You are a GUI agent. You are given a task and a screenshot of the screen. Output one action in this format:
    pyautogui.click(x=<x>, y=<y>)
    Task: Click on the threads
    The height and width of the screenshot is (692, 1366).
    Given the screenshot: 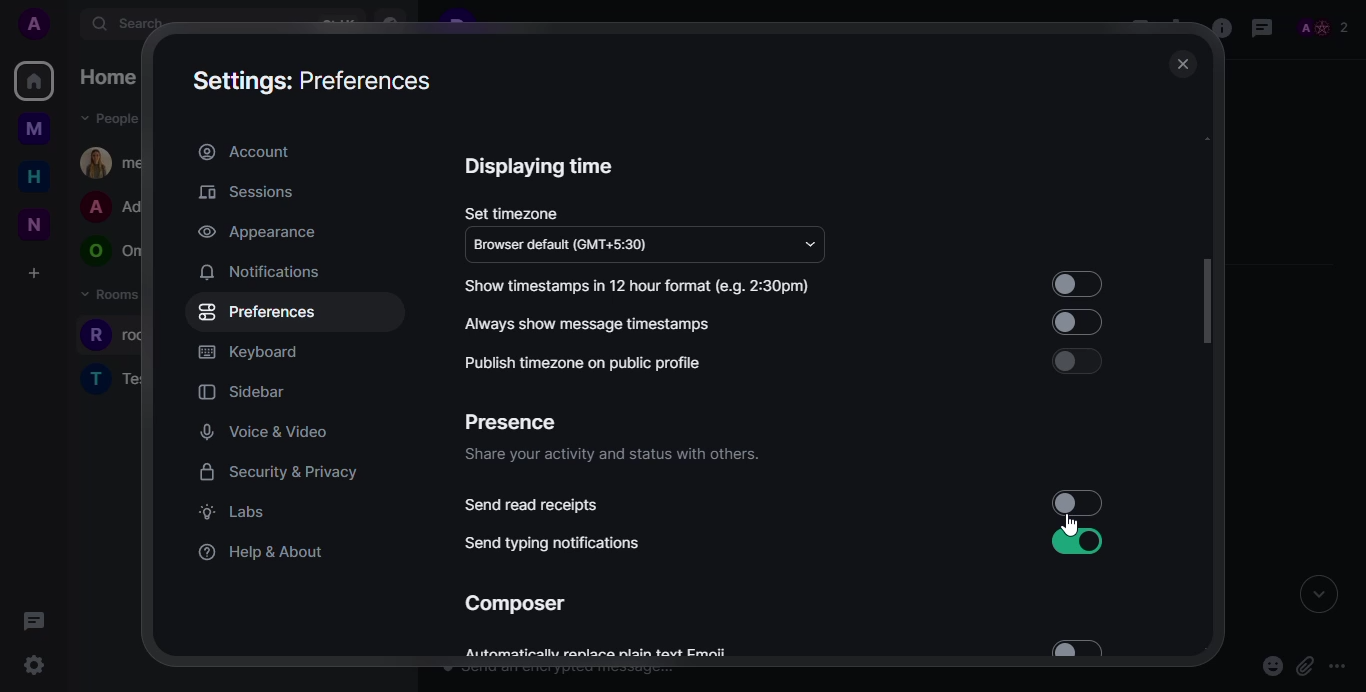 What is the action you would take?
    pyautogui.click(x=35, y=621)
    